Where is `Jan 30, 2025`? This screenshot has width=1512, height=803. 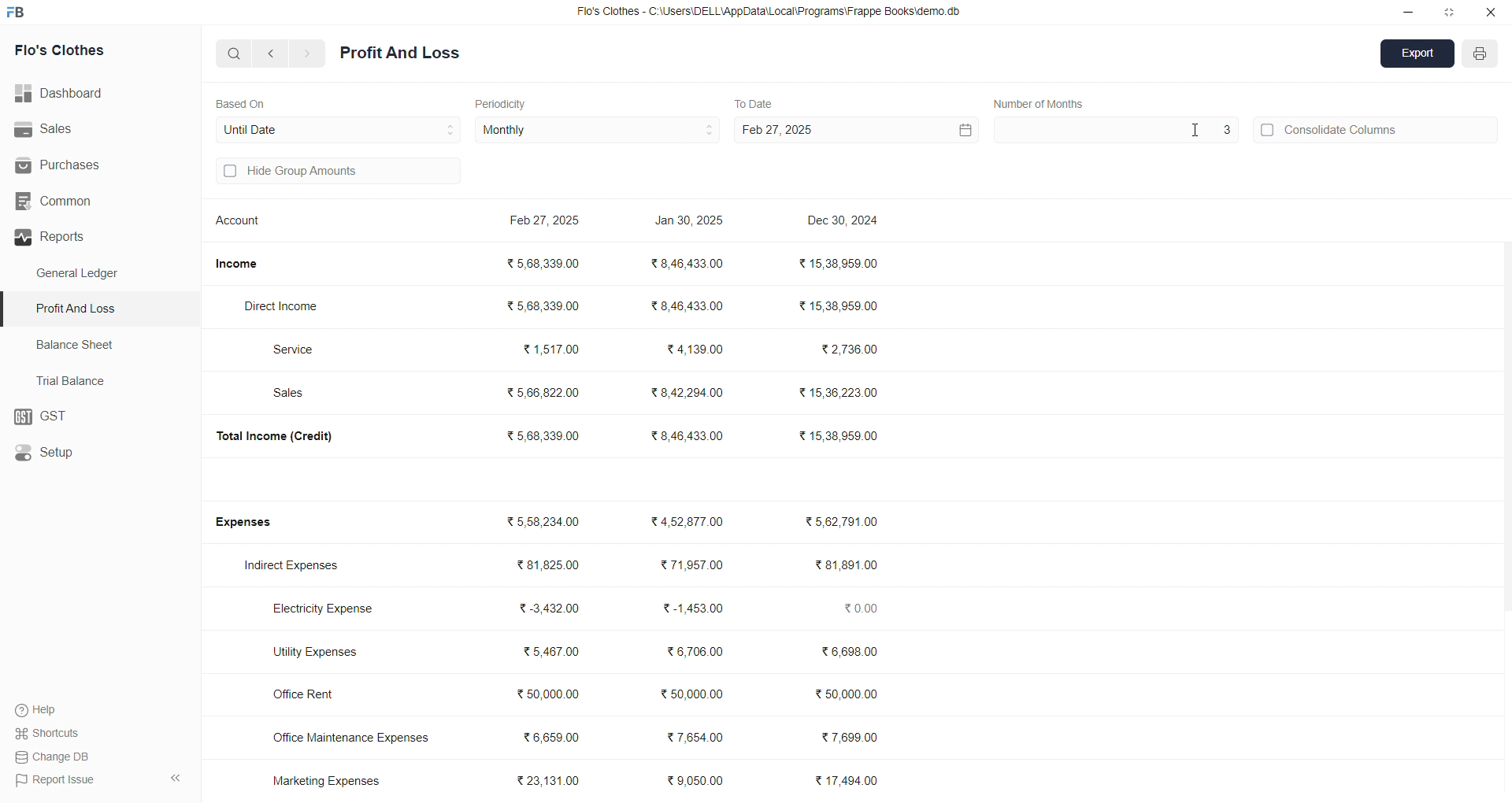 Jan 30, 2025 is located at coordinates (691, 223).